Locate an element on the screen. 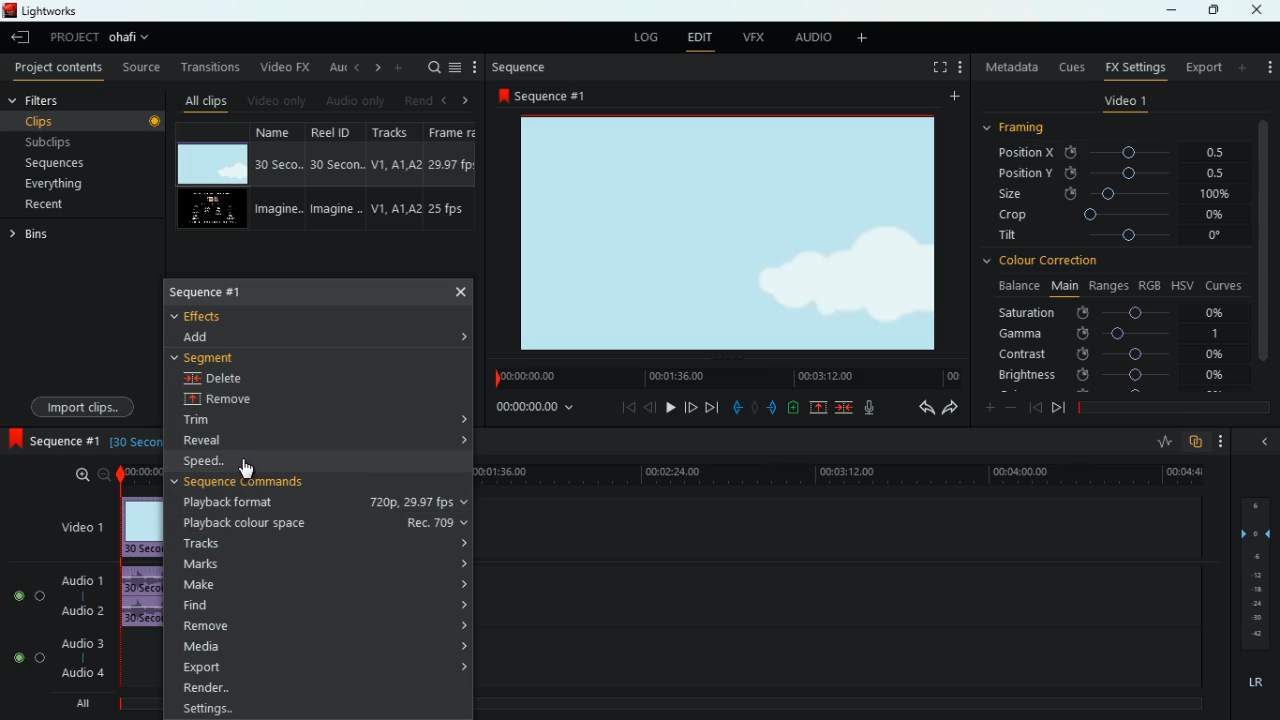 The width and height of the screenshot is (1280, 720). back is located at coordinates (650, 407).